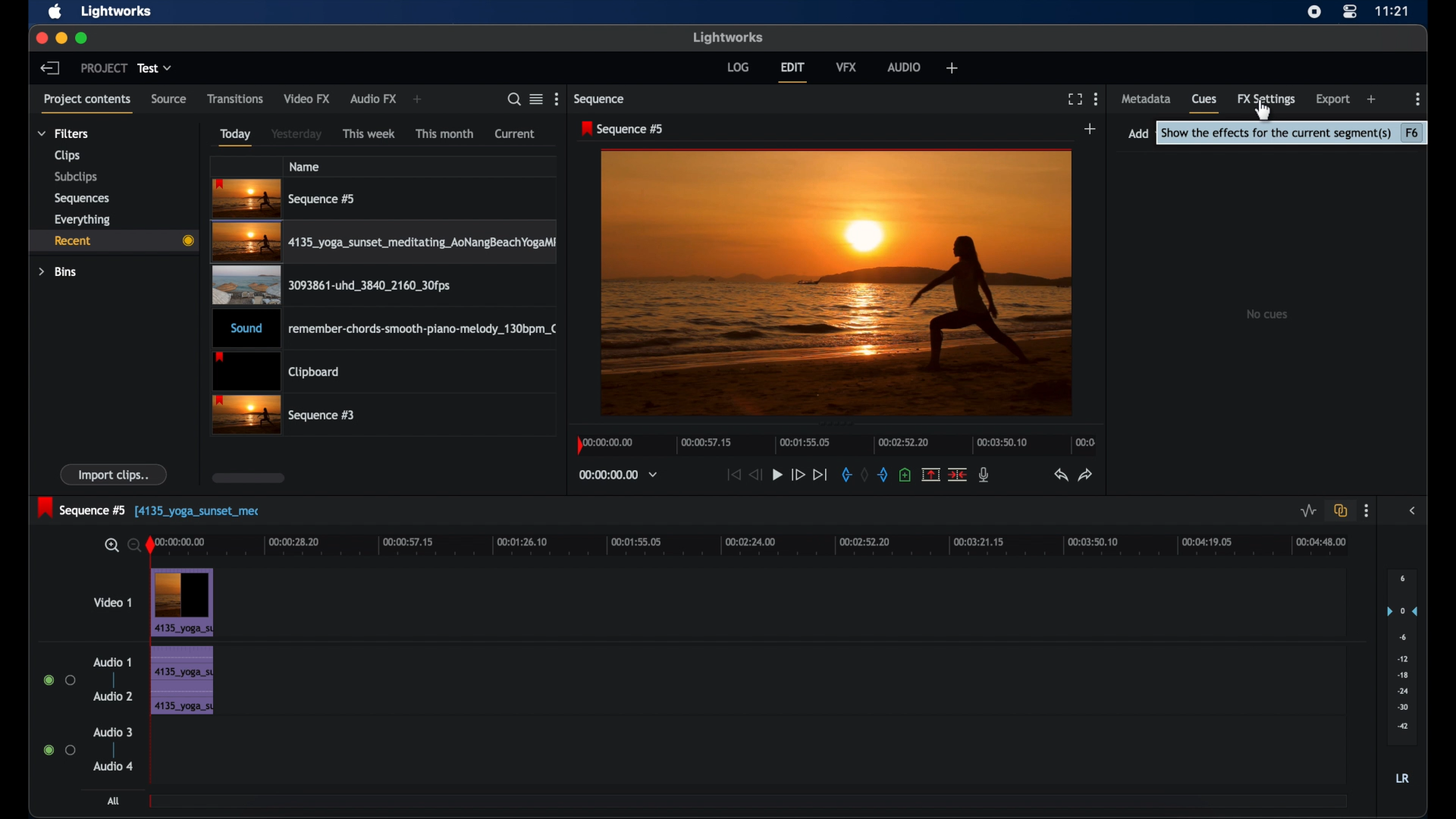  I want to click on search, so click(510, 99).